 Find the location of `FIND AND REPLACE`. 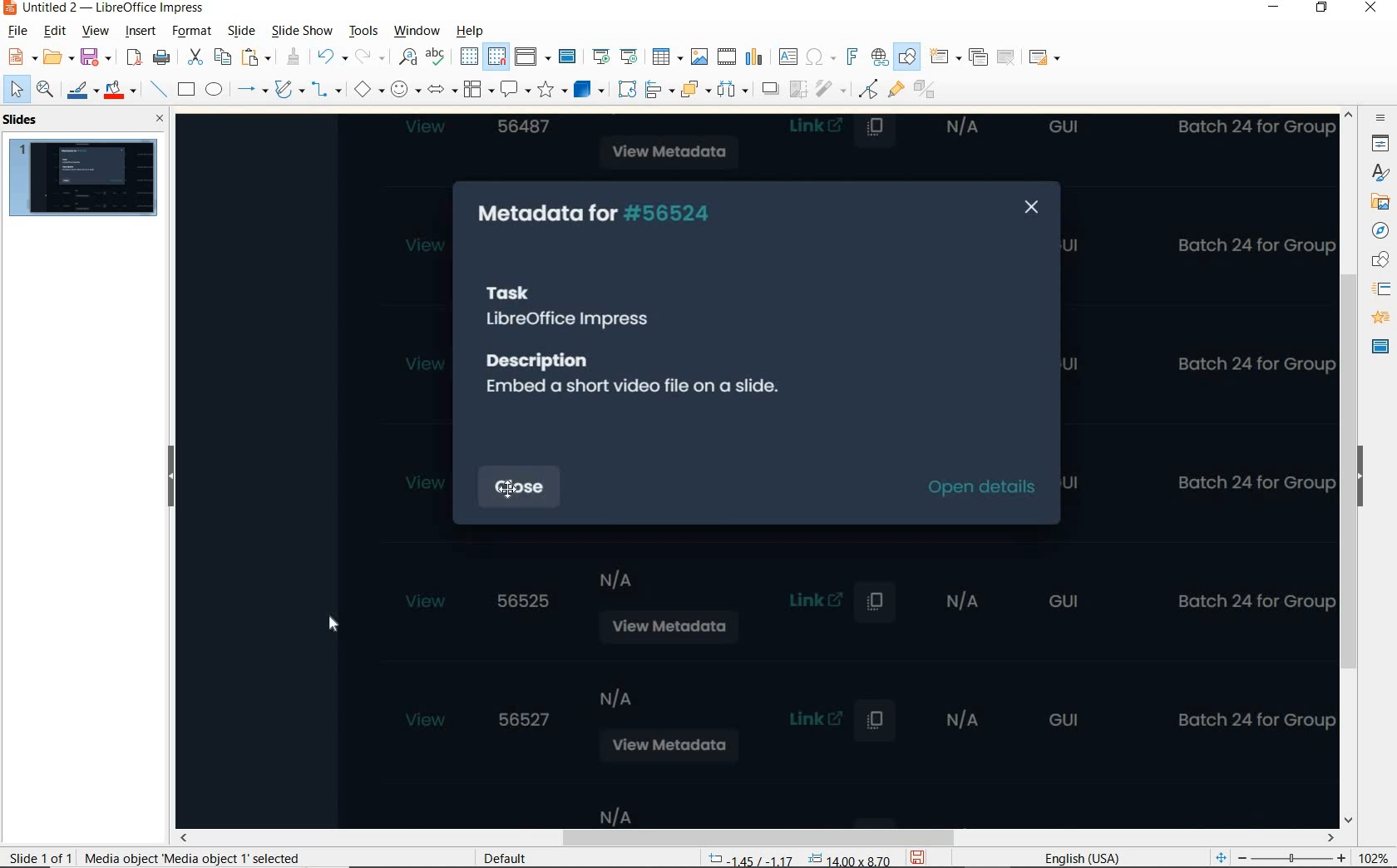

FIND AND REPLACE is located at coordinates (408, 59).